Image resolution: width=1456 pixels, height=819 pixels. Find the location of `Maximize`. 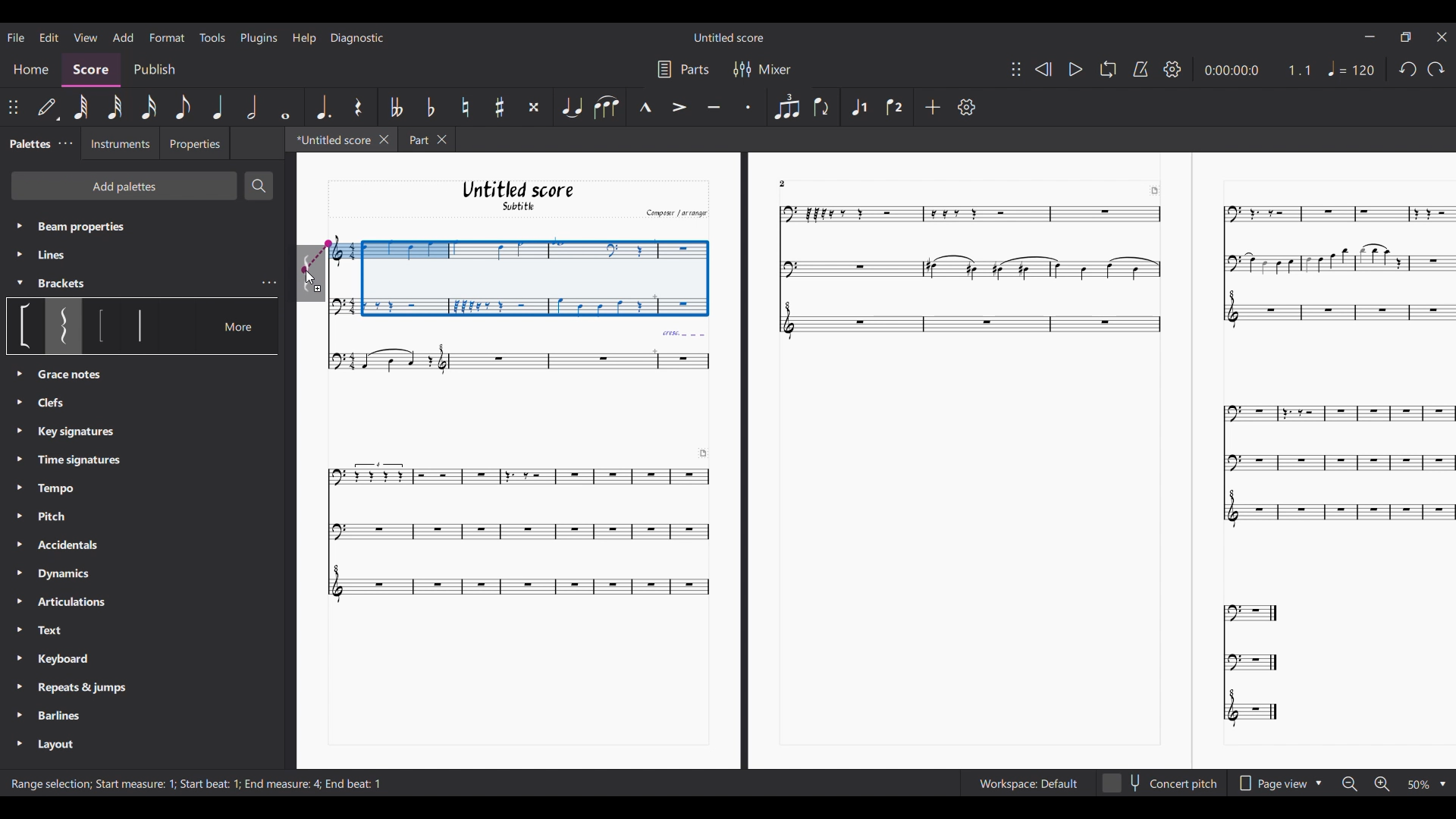

Maximize is located at coordinates (1406, 39).